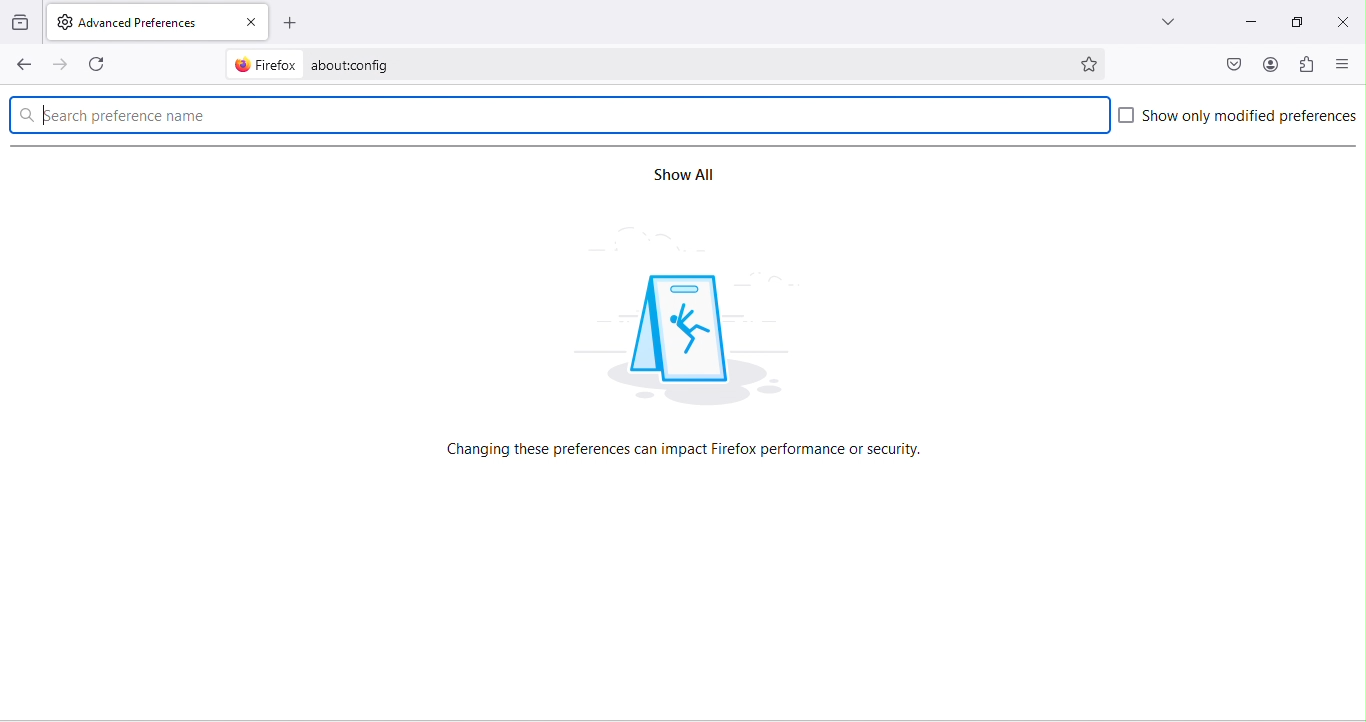  I want to click on Change these preferences can impact Firefox performance or security, so click(687, 449).